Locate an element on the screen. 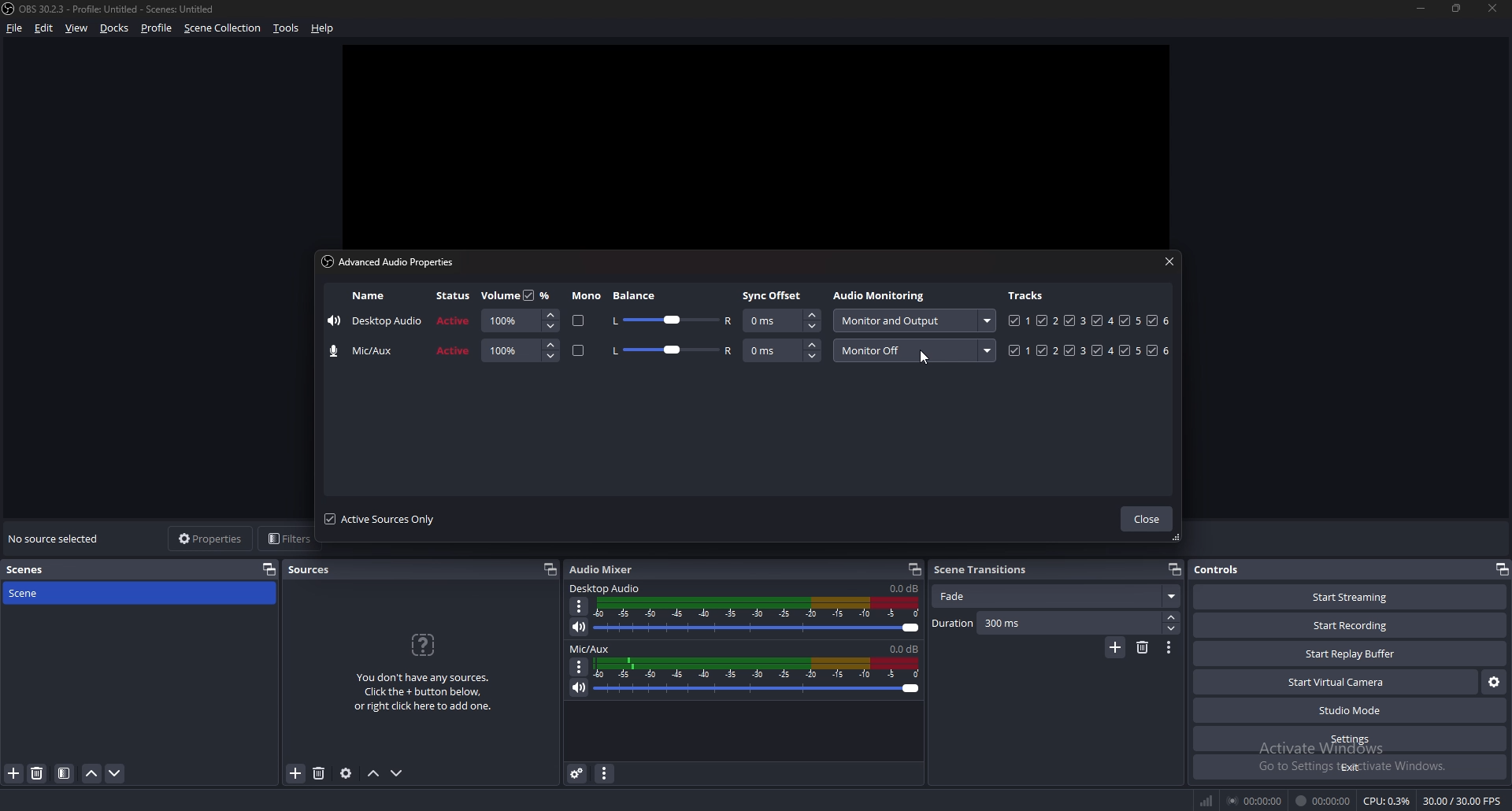 Image resolution: width=1512 pixels, height=811 pixels. add filter is located at coordinates (14, 773).